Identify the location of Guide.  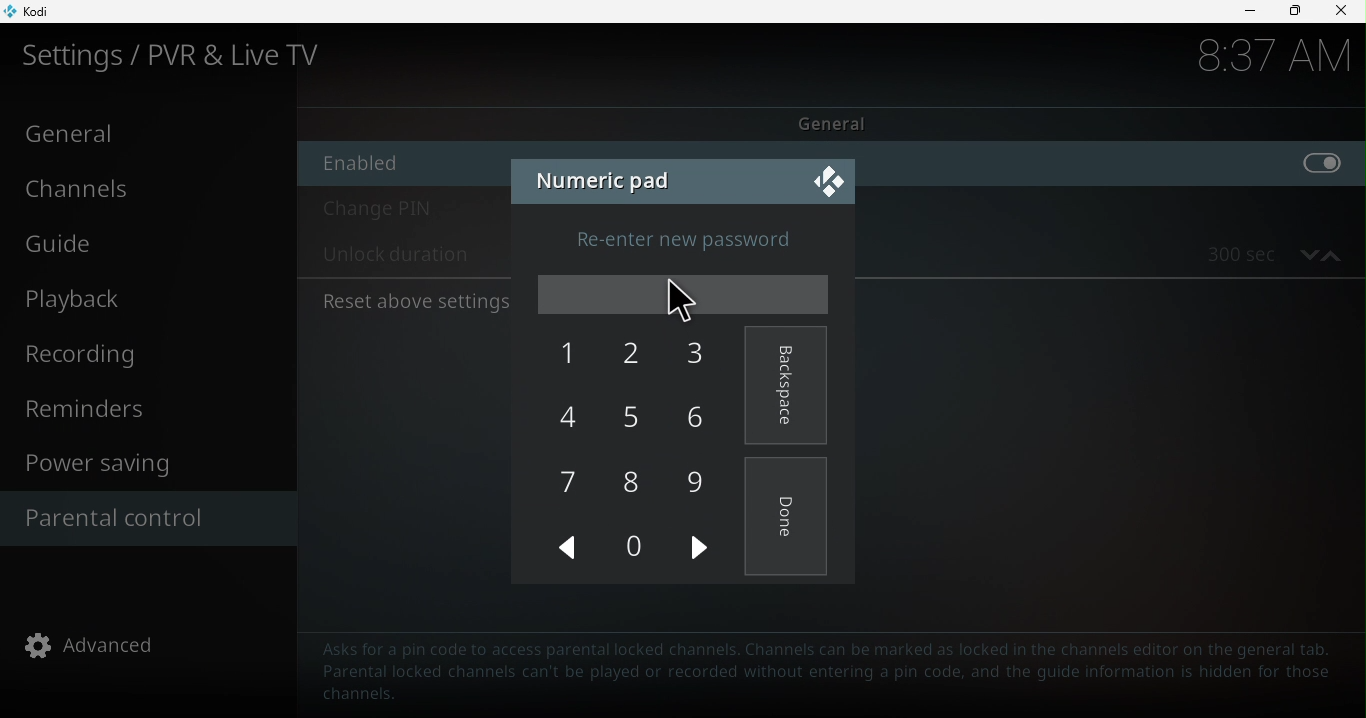
(144, 242).